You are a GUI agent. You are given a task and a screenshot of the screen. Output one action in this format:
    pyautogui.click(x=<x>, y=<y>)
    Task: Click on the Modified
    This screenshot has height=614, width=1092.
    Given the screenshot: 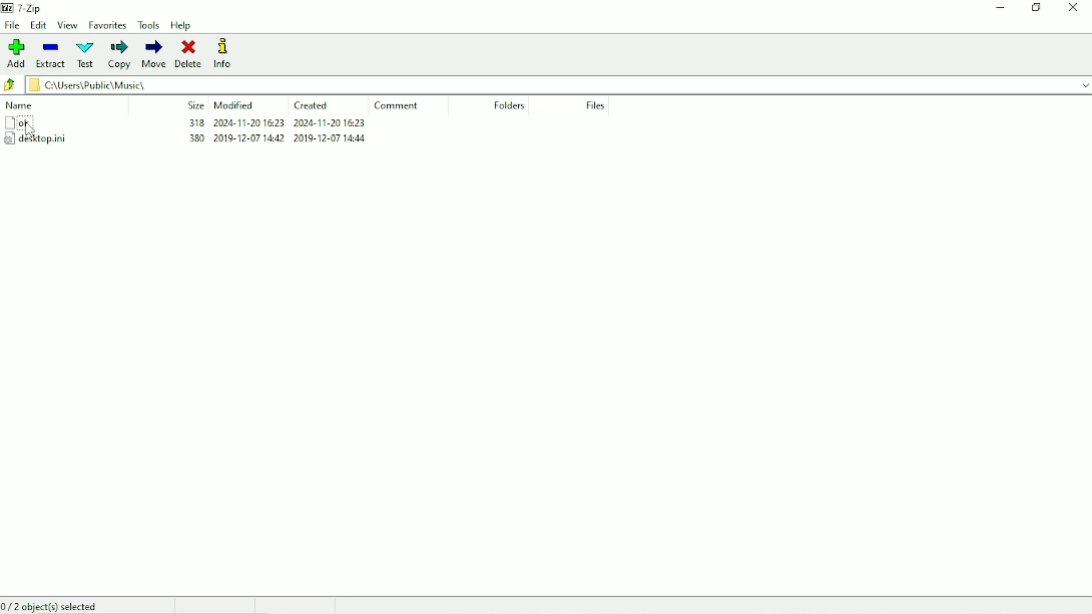 What is the action you would take?
    pyautogui.click(x=235, y=106)
    